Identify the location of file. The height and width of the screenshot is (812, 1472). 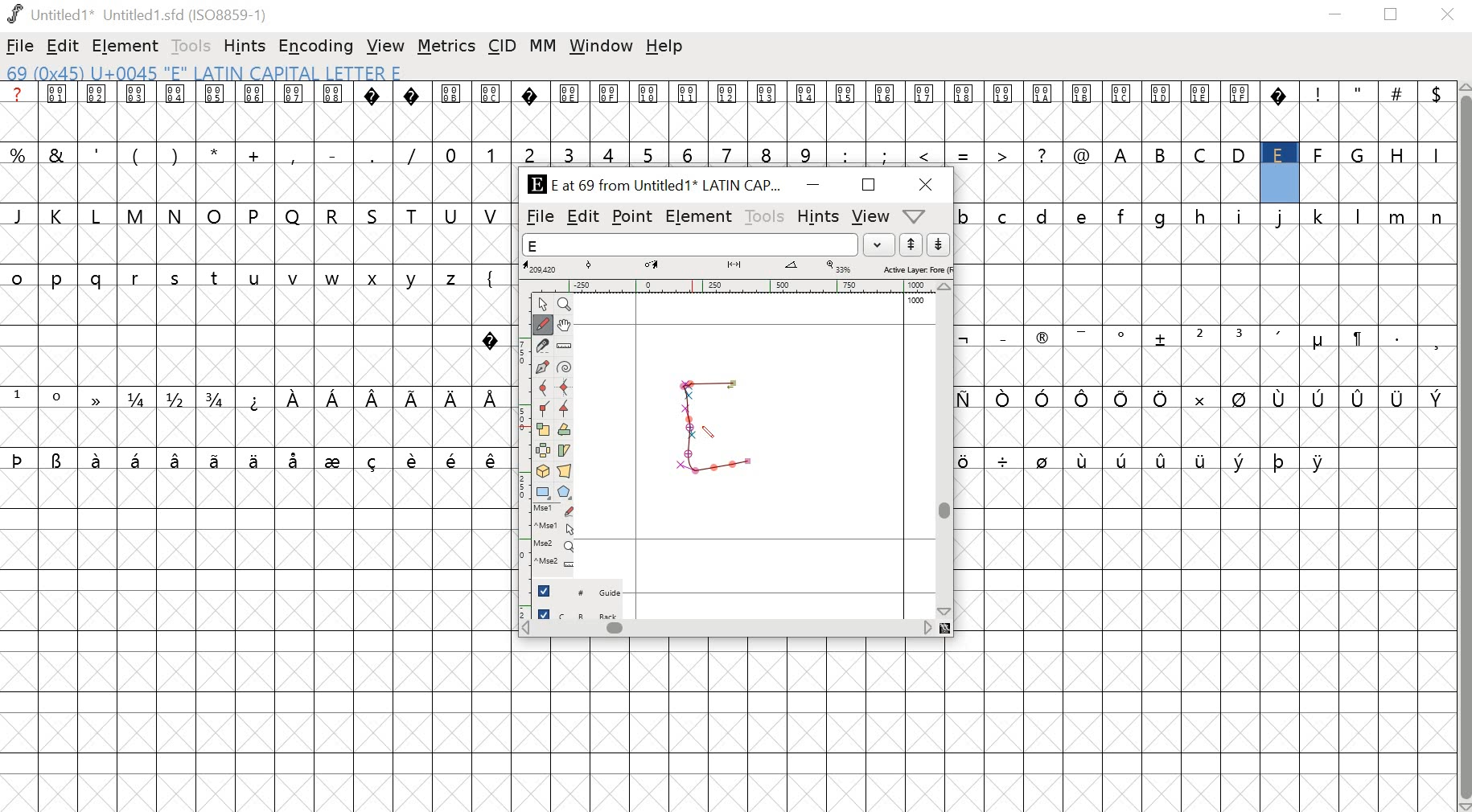
(540, 217).